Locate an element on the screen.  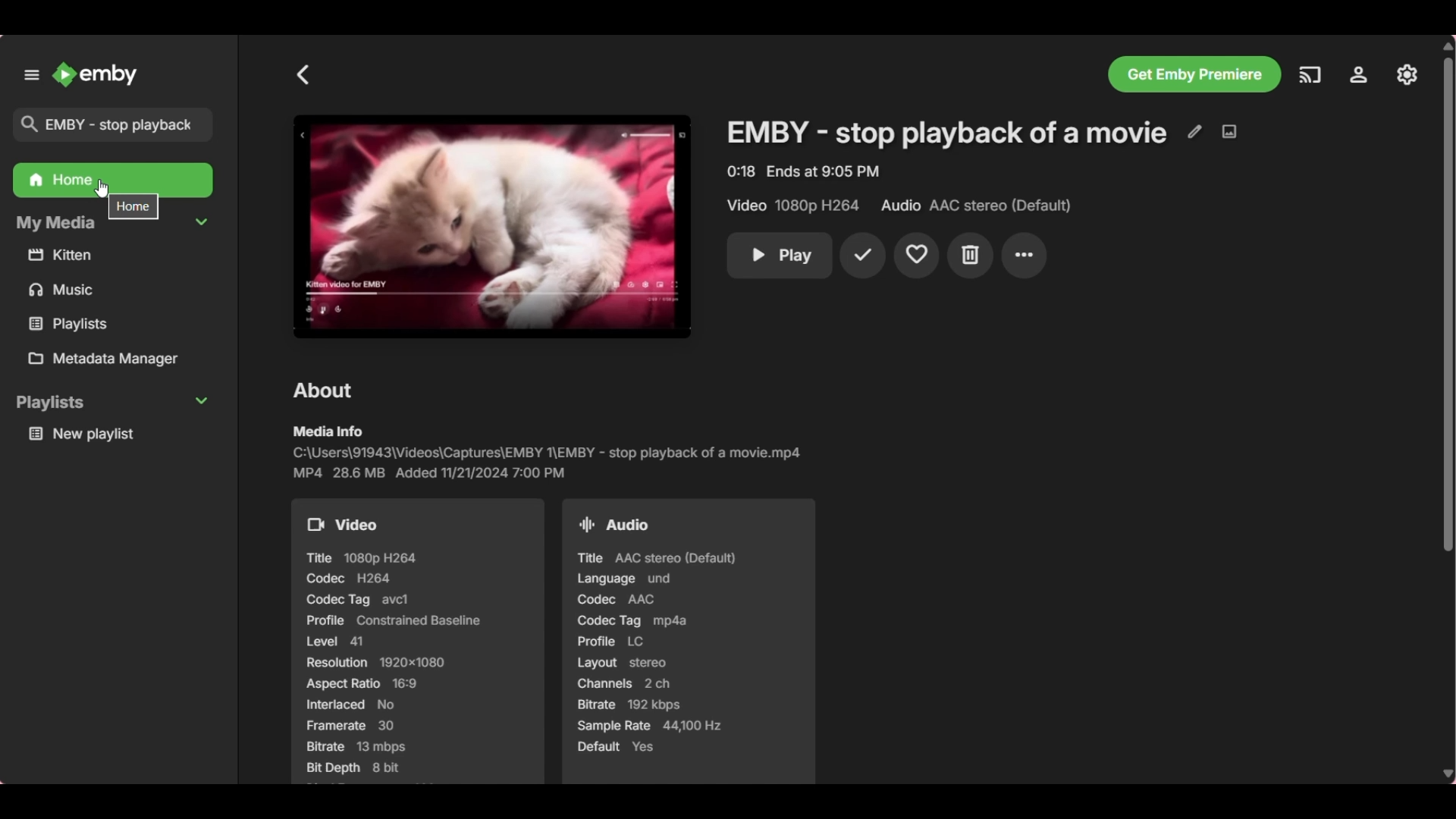
Edit metadata is located at coordinates (1194, 133).